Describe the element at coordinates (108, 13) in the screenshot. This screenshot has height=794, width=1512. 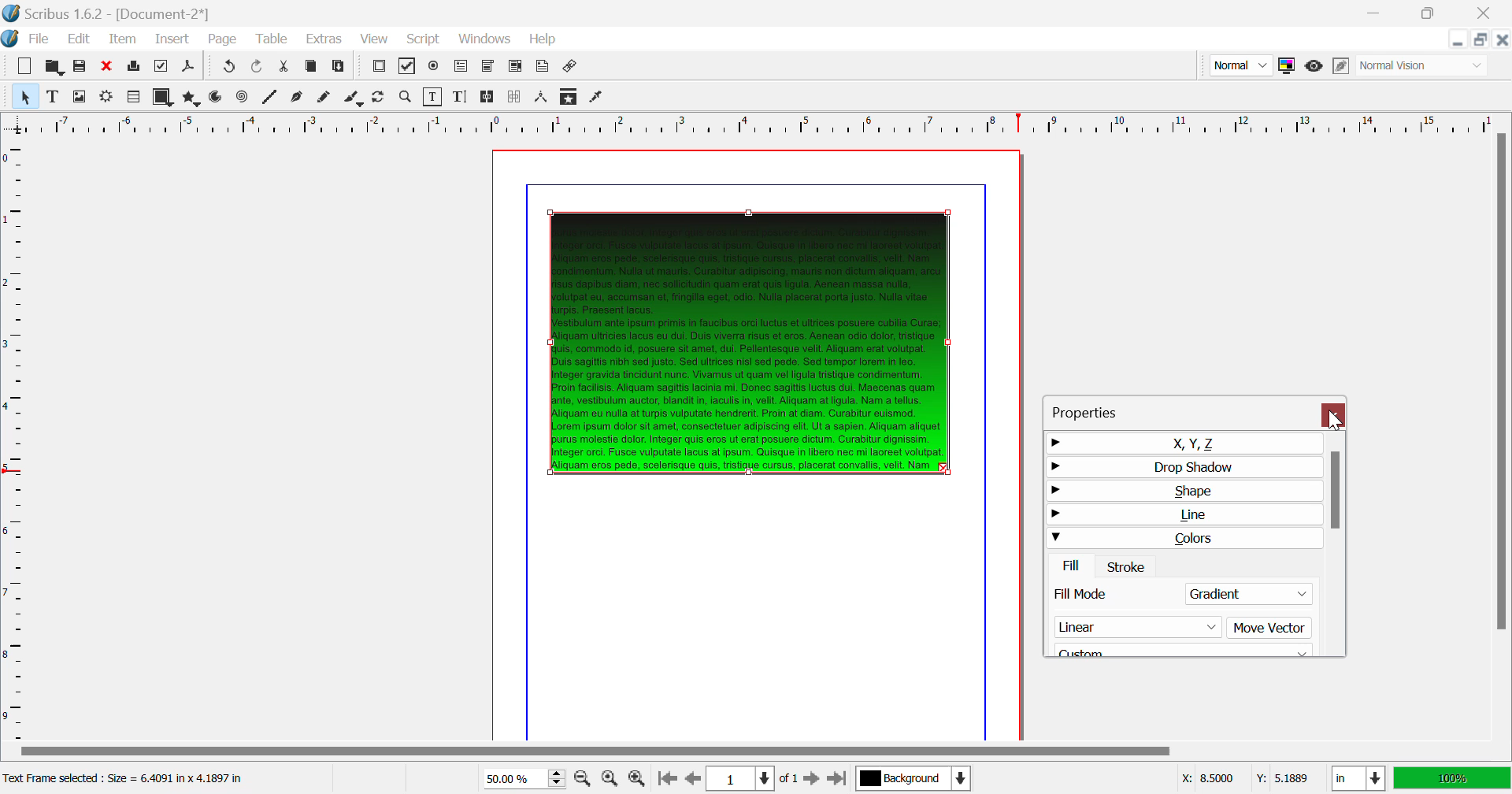
I see `Scribus 1.62 - [Document-2*]` at that location.